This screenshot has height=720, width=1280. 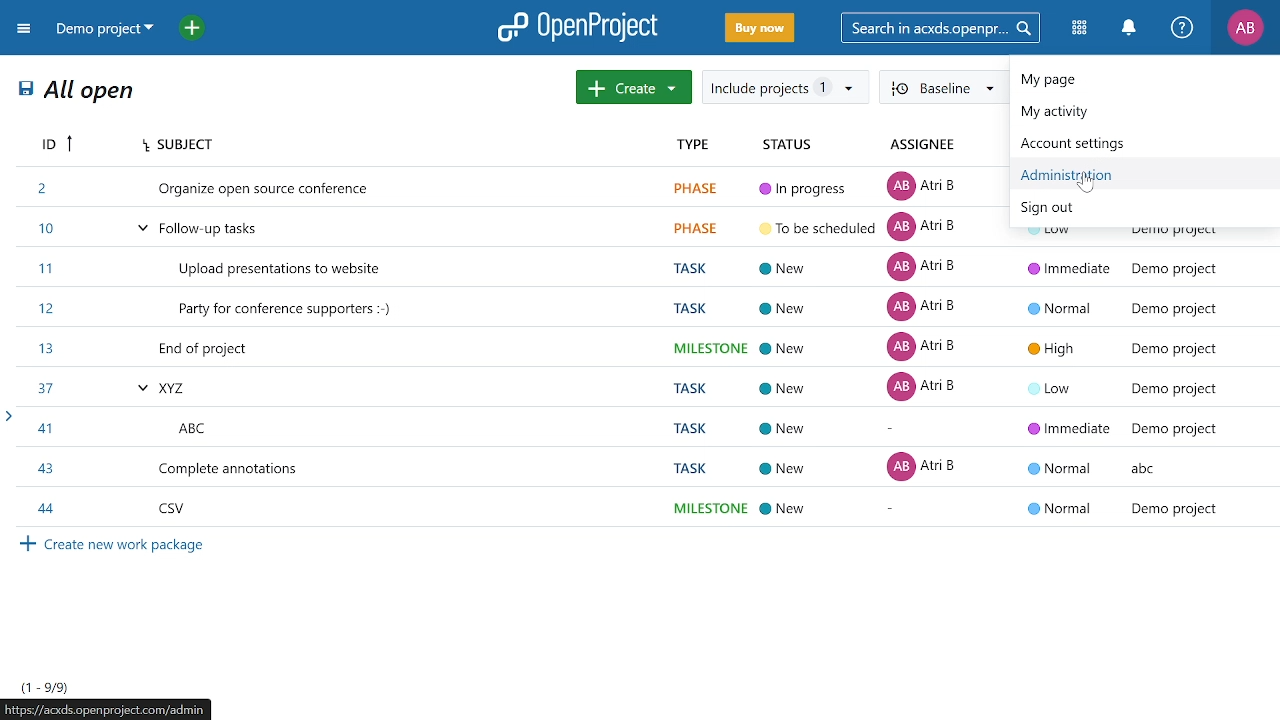 What do you see at coordinates (579, 26) in the screenshot?
I see `OpenProject logo` at bounding box center [579, 26].